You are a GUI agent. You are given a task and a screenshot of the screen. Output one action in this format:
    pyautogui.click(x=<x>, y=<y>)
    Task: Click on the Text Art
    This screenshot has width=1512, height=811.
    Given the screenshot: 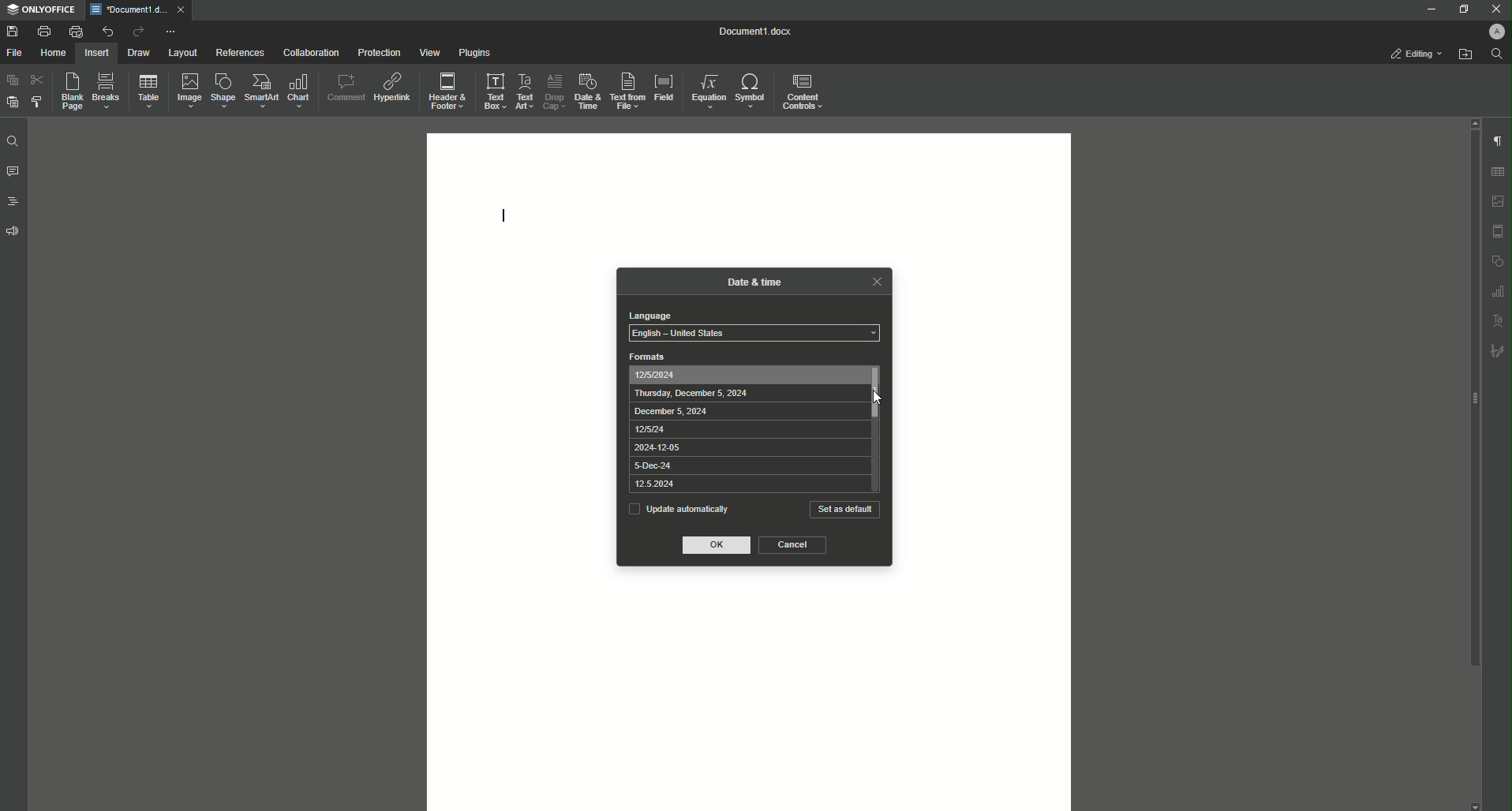 What is the action you would take?
    pyautogui.click(x=526, y=89)
    